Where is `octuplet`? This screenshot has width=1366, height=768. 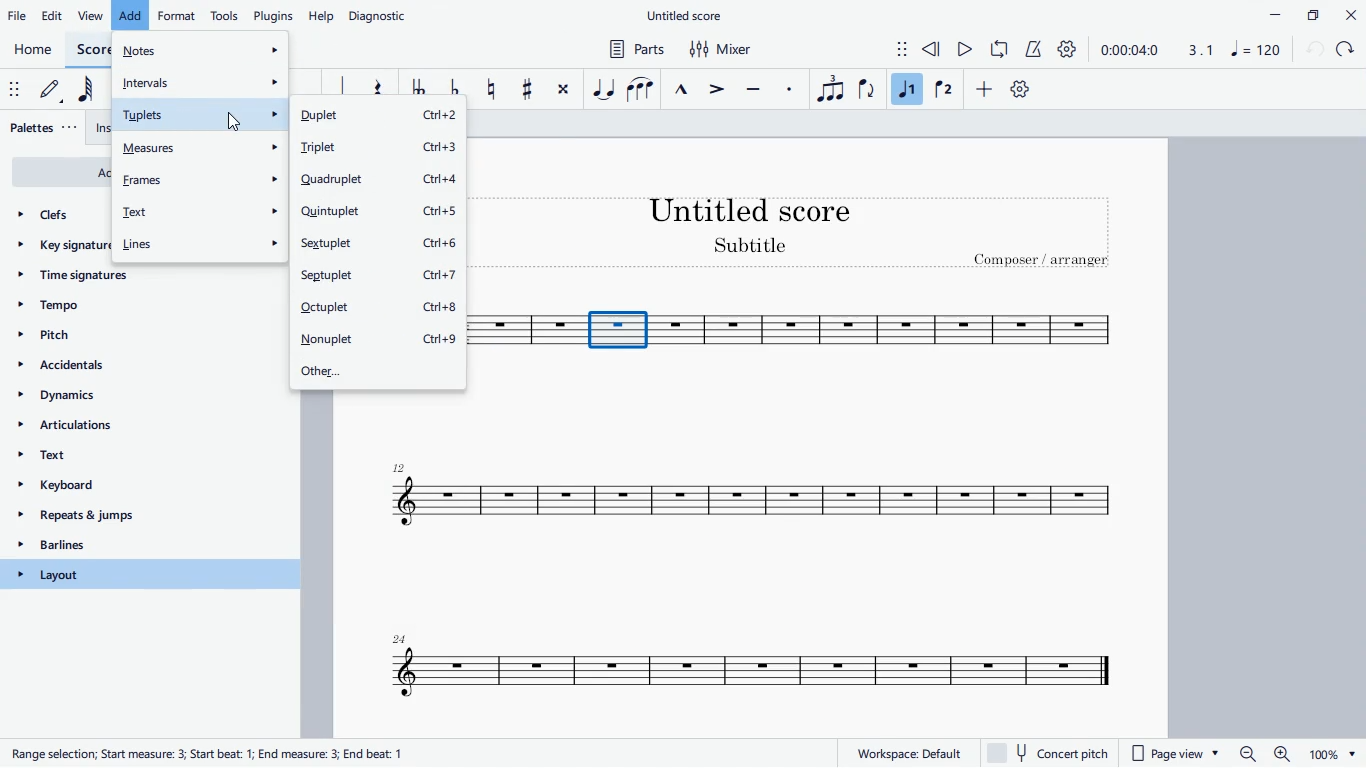 octuplet is located at coordinates (379, 310).